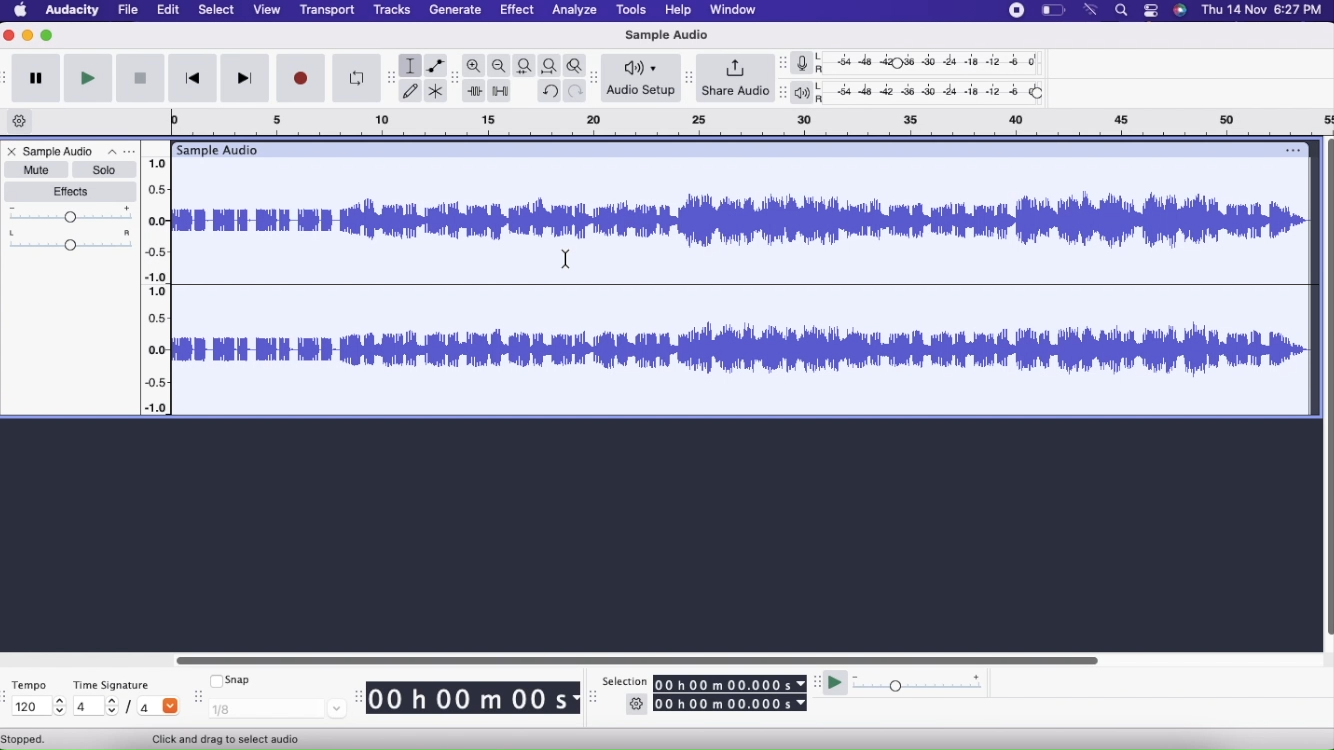 This screenshot has height=750, width=1334. What do you see at coordinates (1092, 11) in the screenshot?
I see `wifi` at bounding box center [1092, 11].